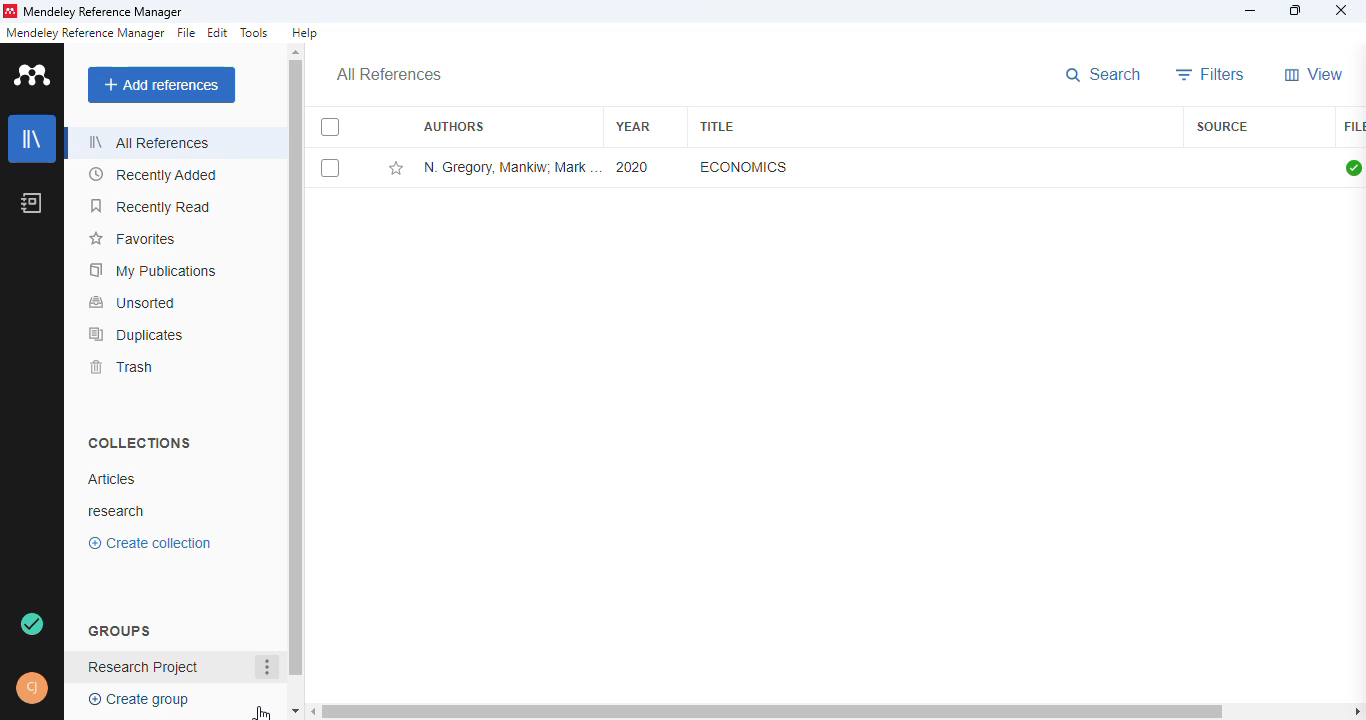  I want to click on my publications, so click(155, 271).